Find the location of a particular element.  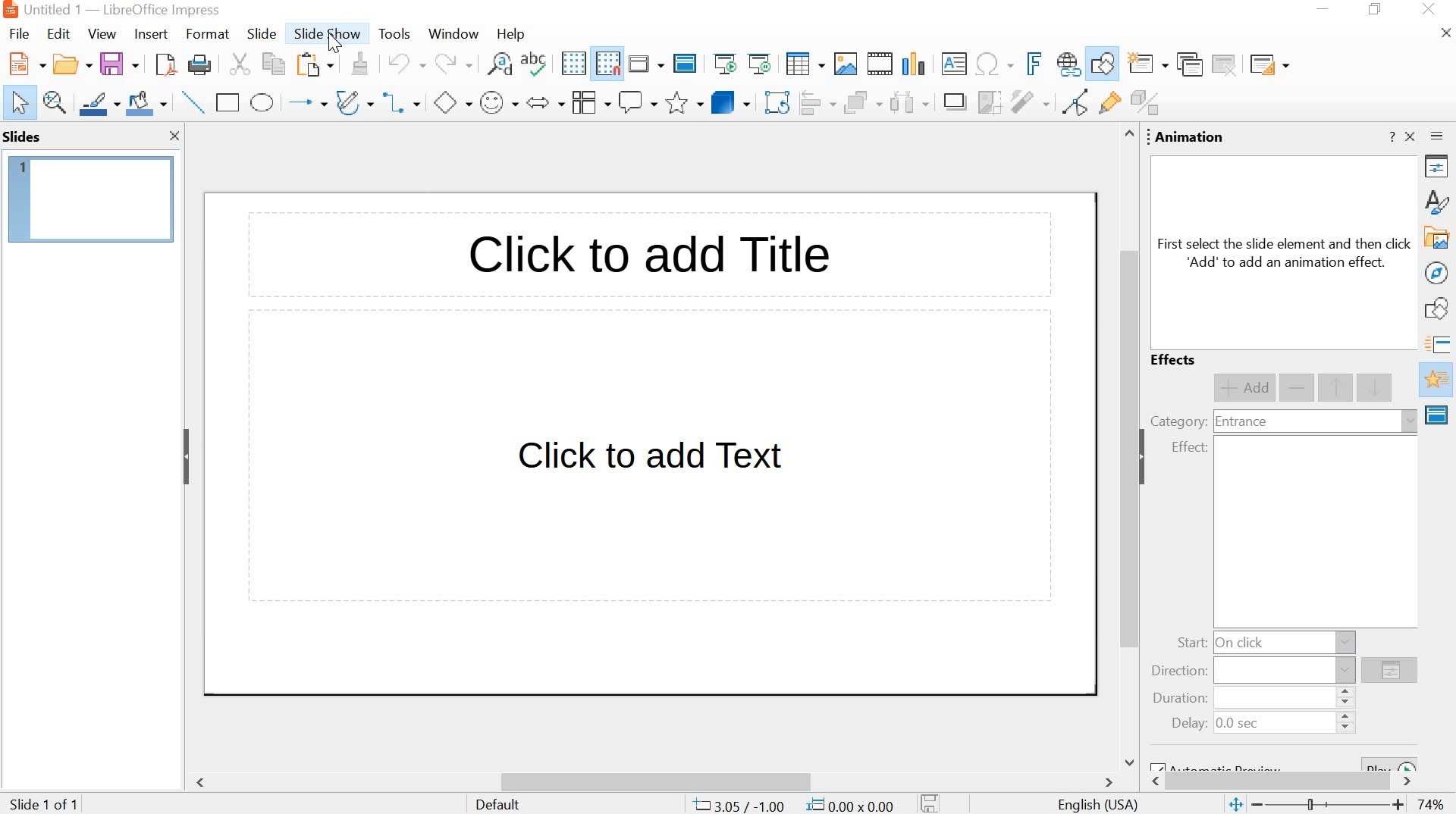

3d objects is located at coordinates (730, 102).